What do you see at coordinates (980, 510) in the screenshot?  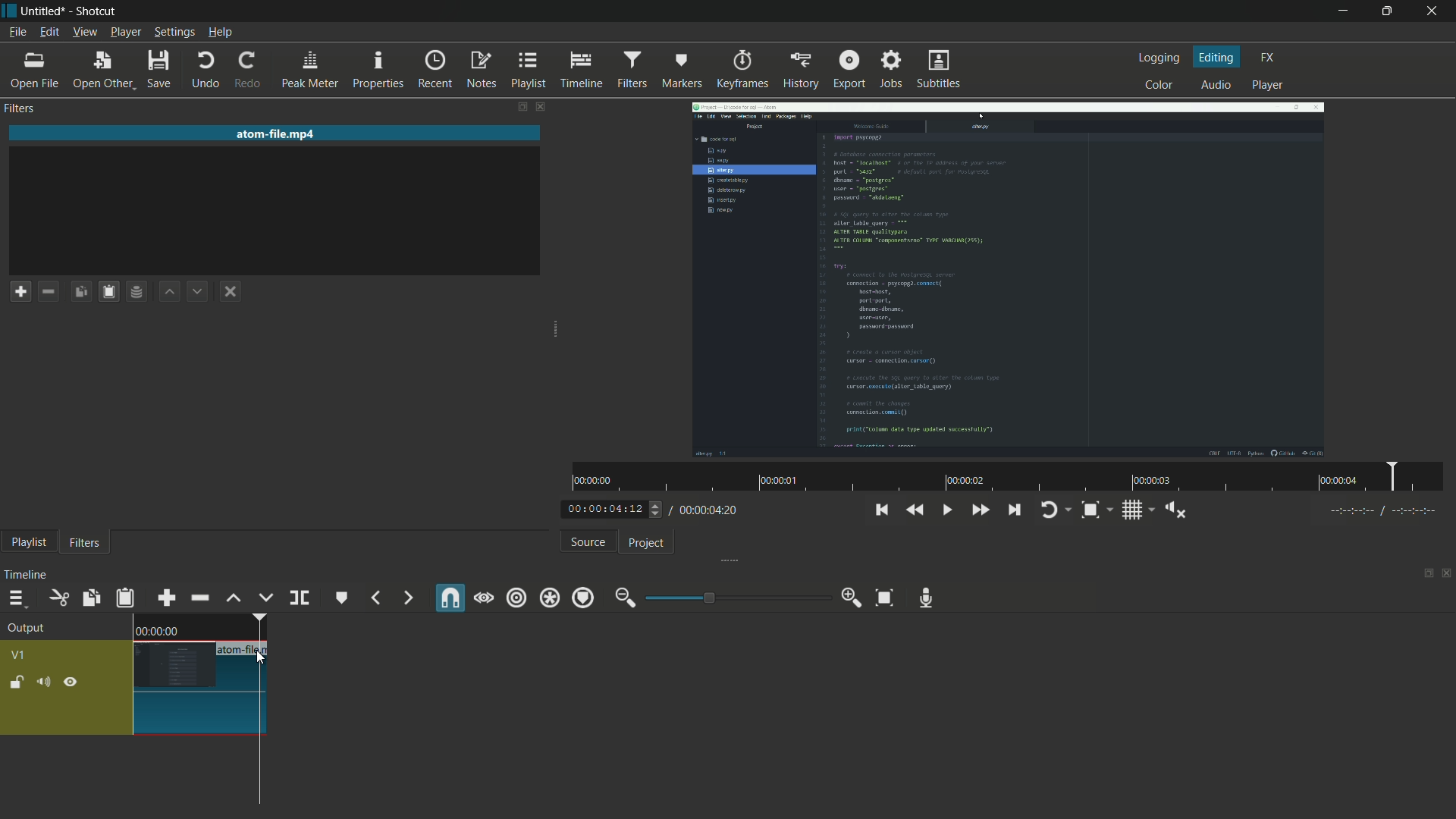 I see `quickly play forward` at bounding box center [980, 510].